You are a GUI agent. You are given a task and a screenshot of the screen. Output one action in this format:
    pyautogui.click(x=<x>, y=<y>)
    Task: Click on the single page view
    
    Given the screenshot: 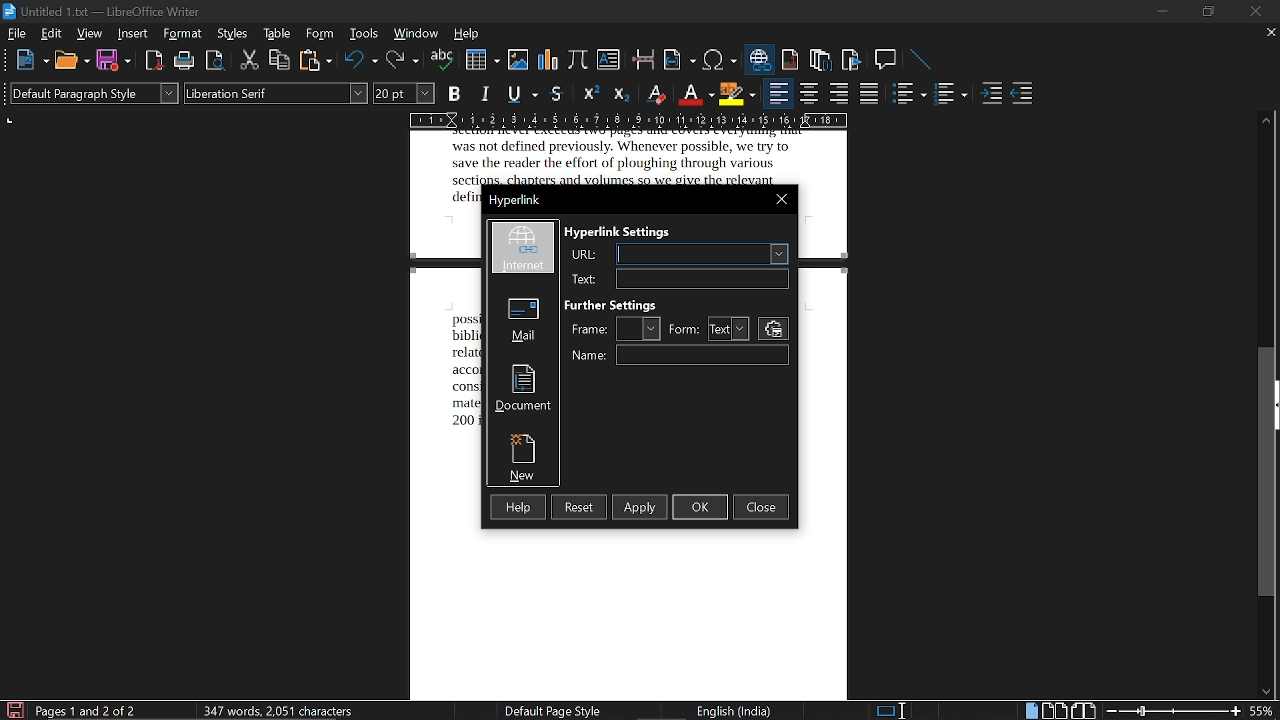 What is the action you would take?
    pyautogui.click(x=1030, y=710)
    